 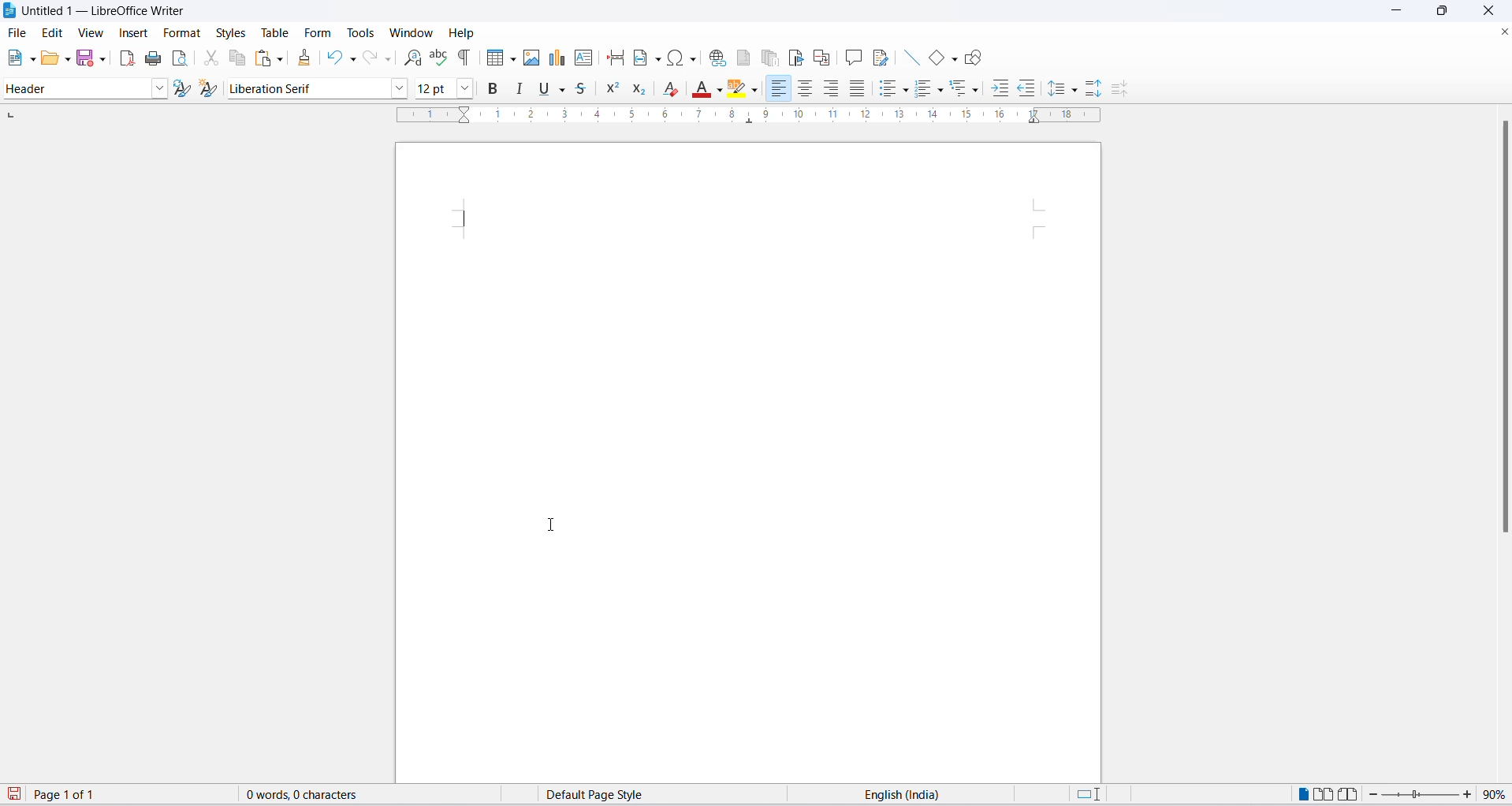 I want to click on font color options, so click(x=718, y=88).